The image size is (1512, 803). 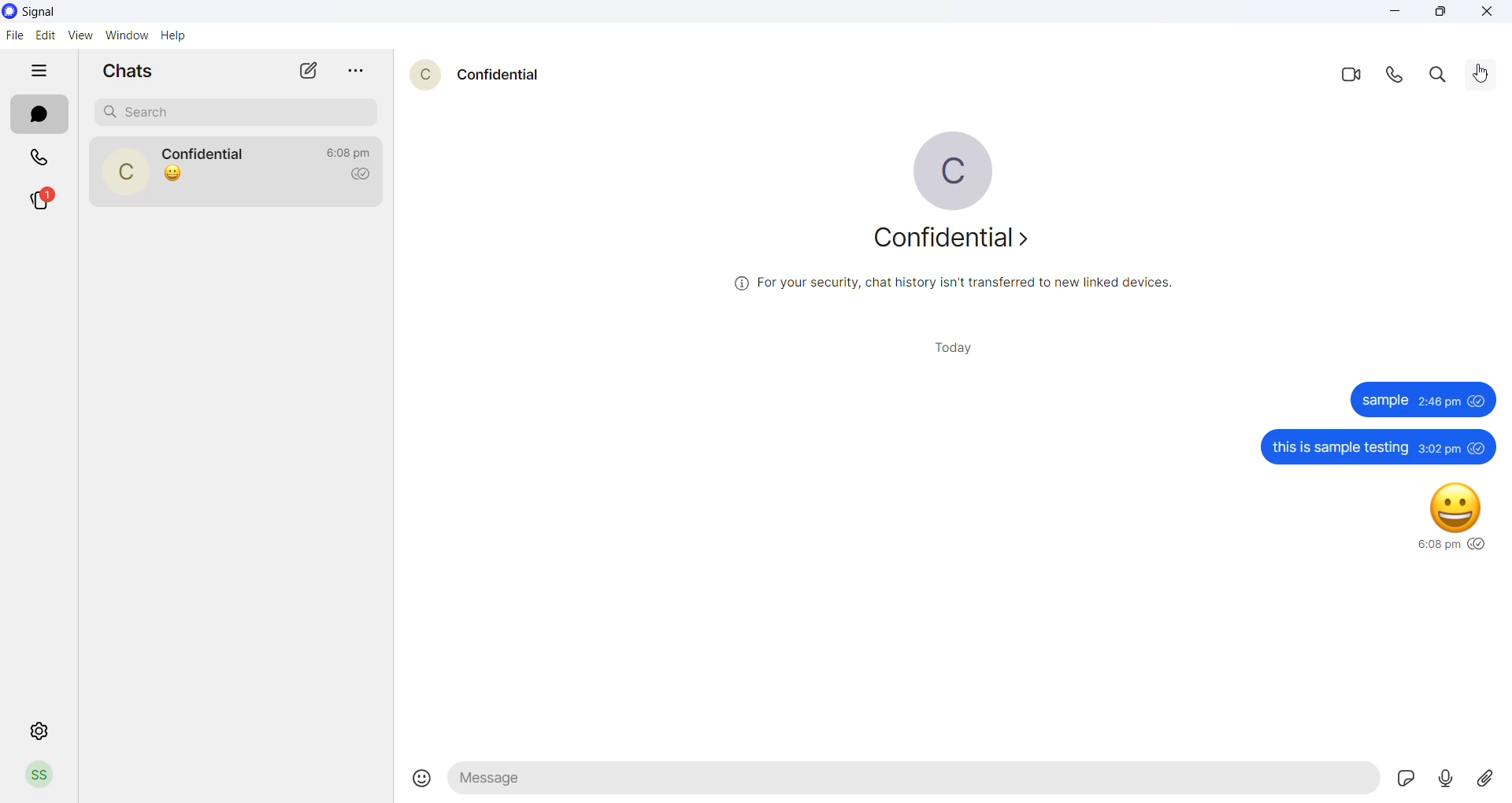 I want to click on hide, so click(x=39, y=68).